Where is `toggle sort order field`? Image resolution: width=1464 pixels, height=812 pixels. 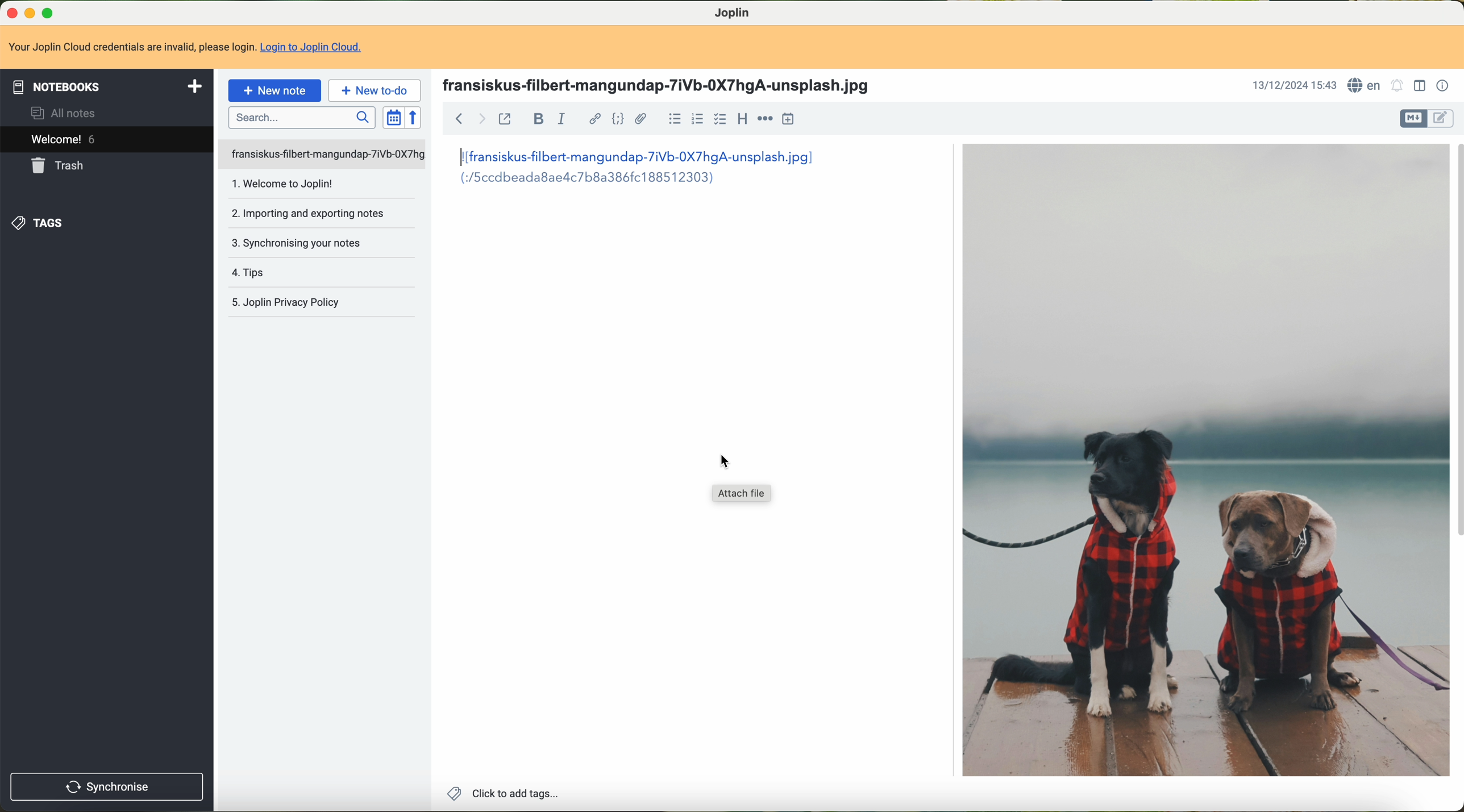
toggle sort order field is located at coordinates (392, 118).